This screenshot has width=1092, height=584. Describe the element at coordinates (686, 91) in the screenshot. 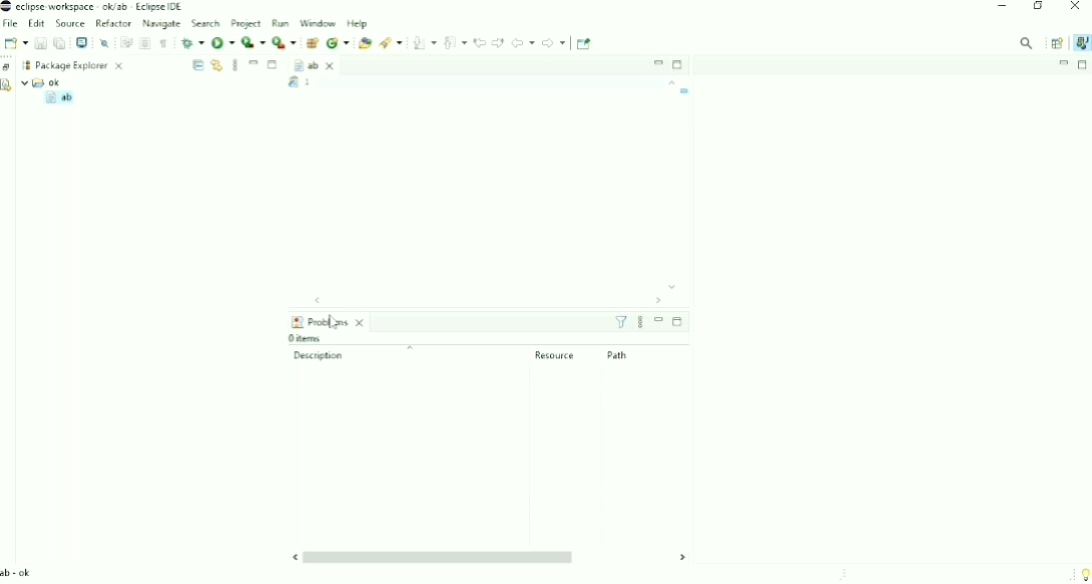

I see `Task name` at that location.